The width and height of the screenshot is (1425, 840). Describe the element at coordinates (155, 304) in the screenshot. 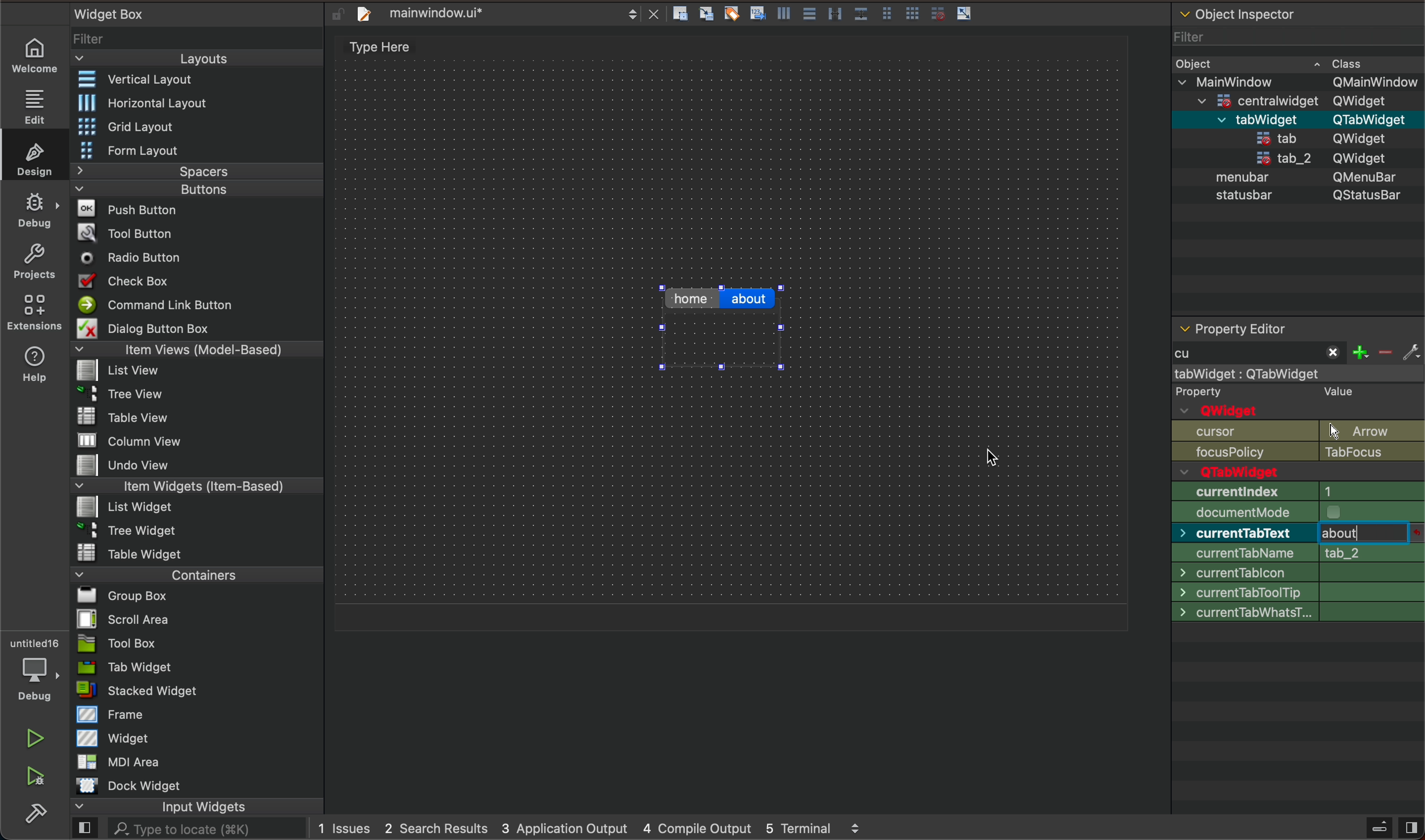

I see ` Command Link Button` at that location.